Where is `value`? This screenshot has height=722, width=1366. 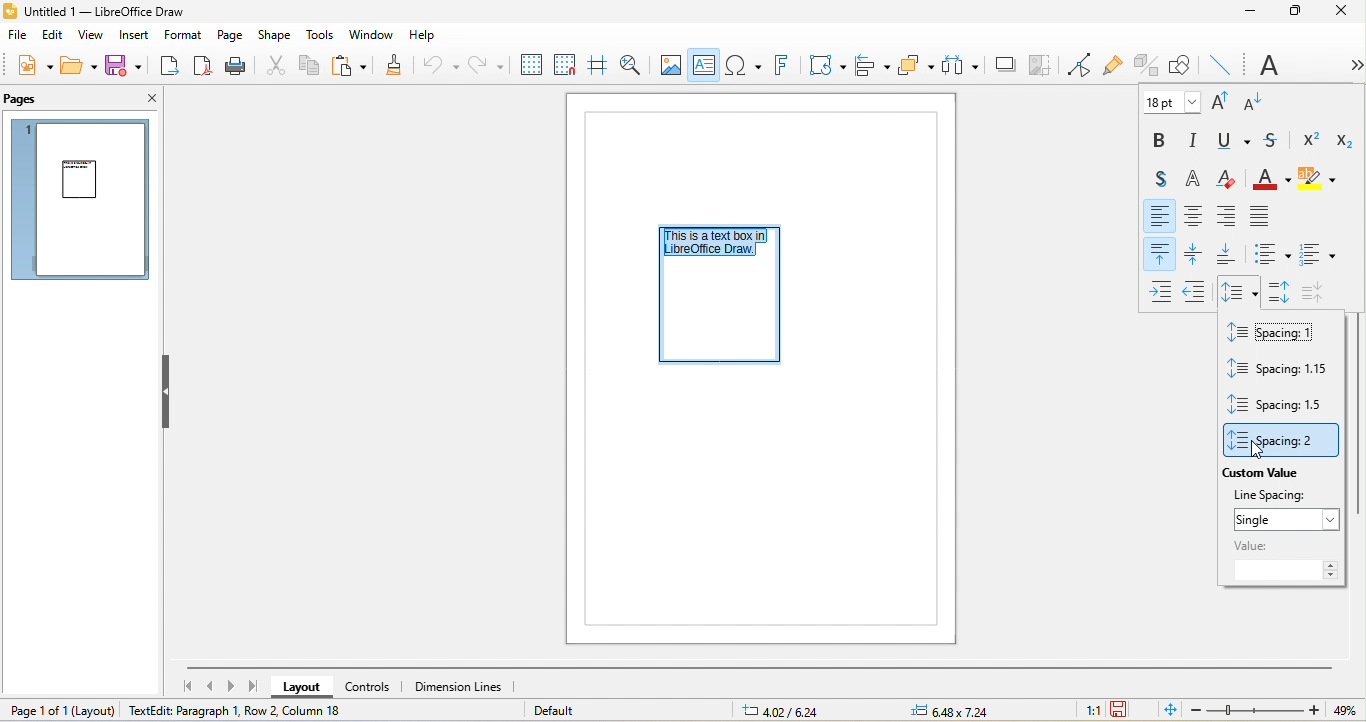
value is located at coordinates (1285, 560).